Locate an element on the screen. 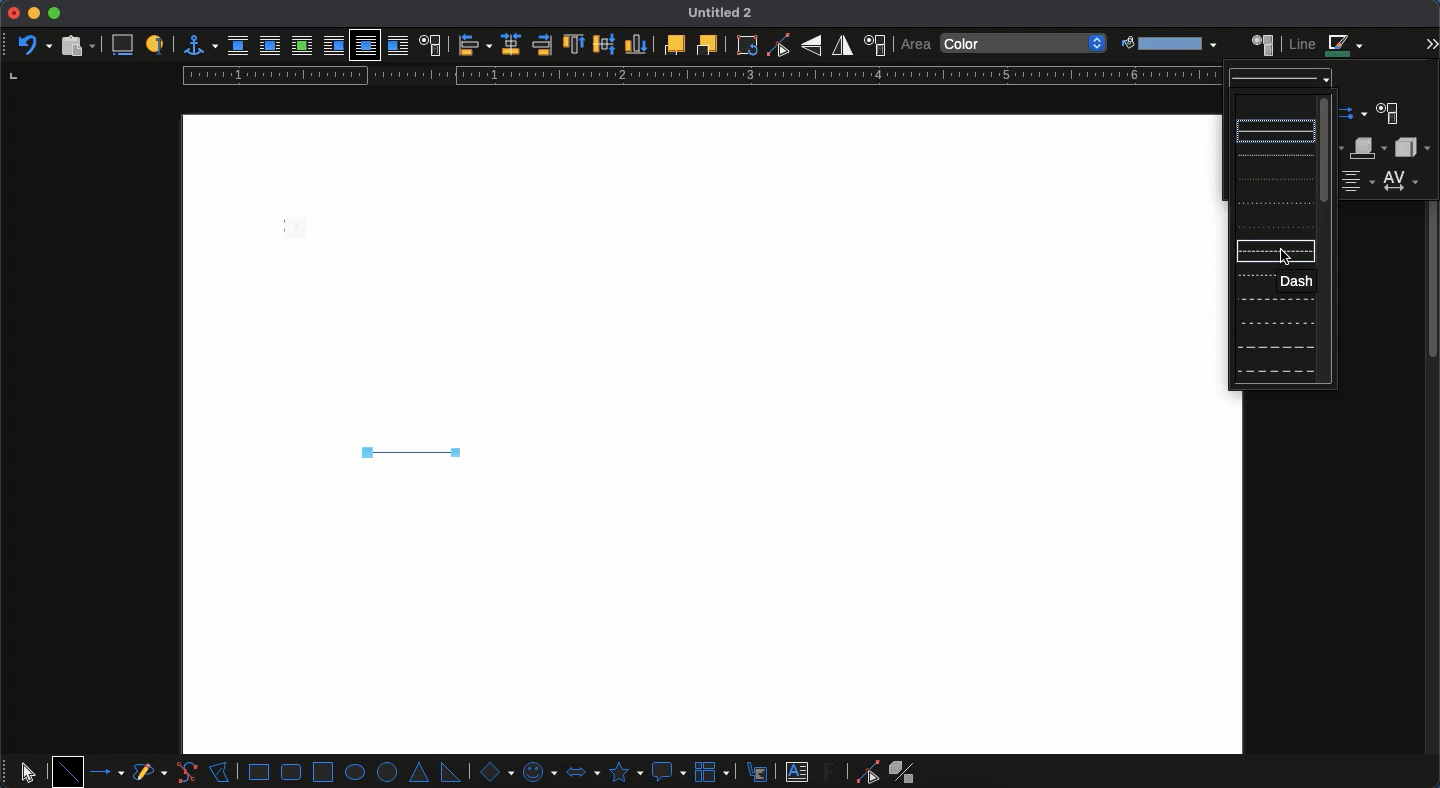  flowchart is located at coordinates (714, 771).